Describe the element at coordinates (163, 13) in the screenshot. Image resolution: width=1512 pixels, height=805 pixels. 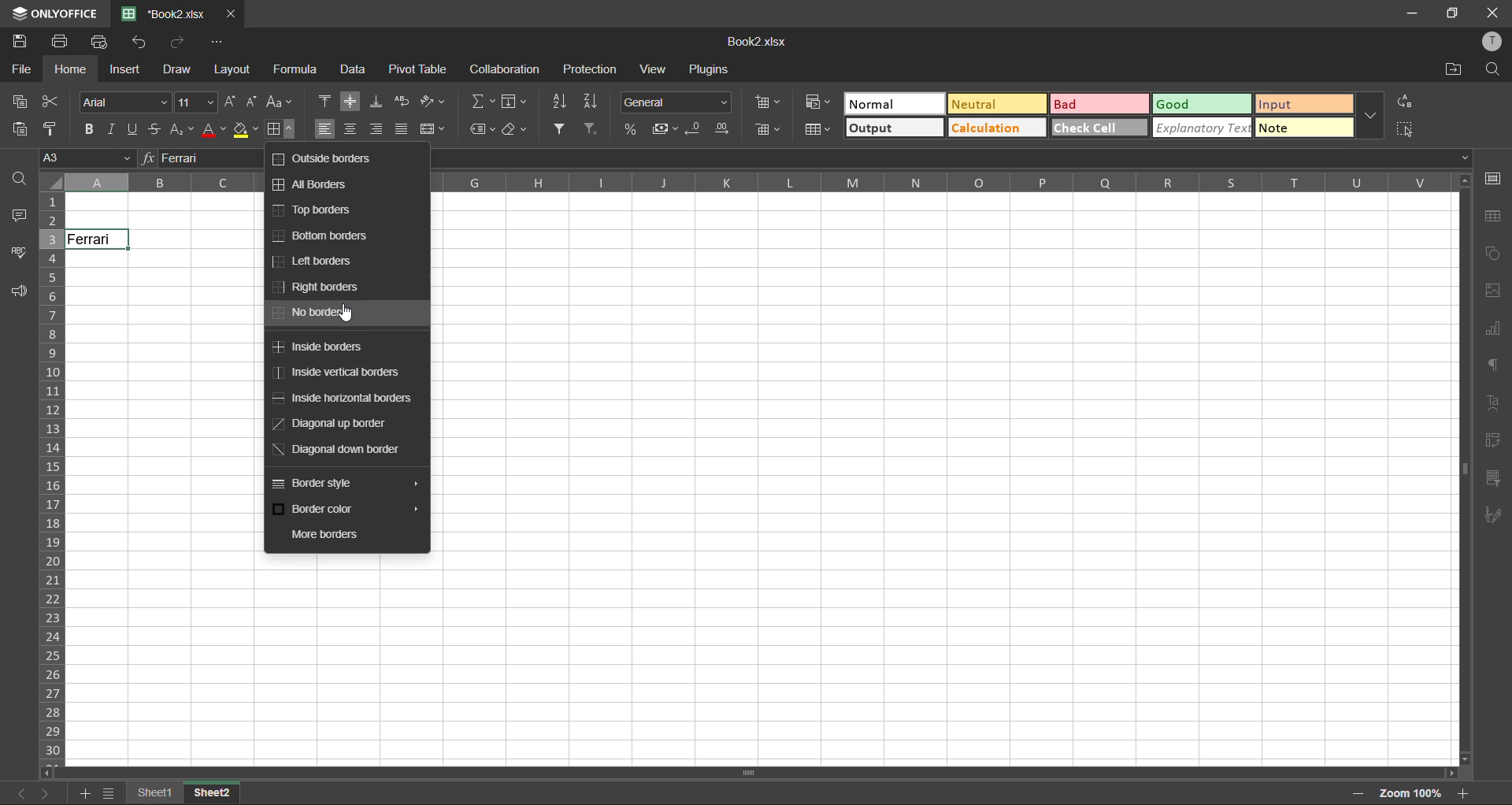
I see `file name` at that location.